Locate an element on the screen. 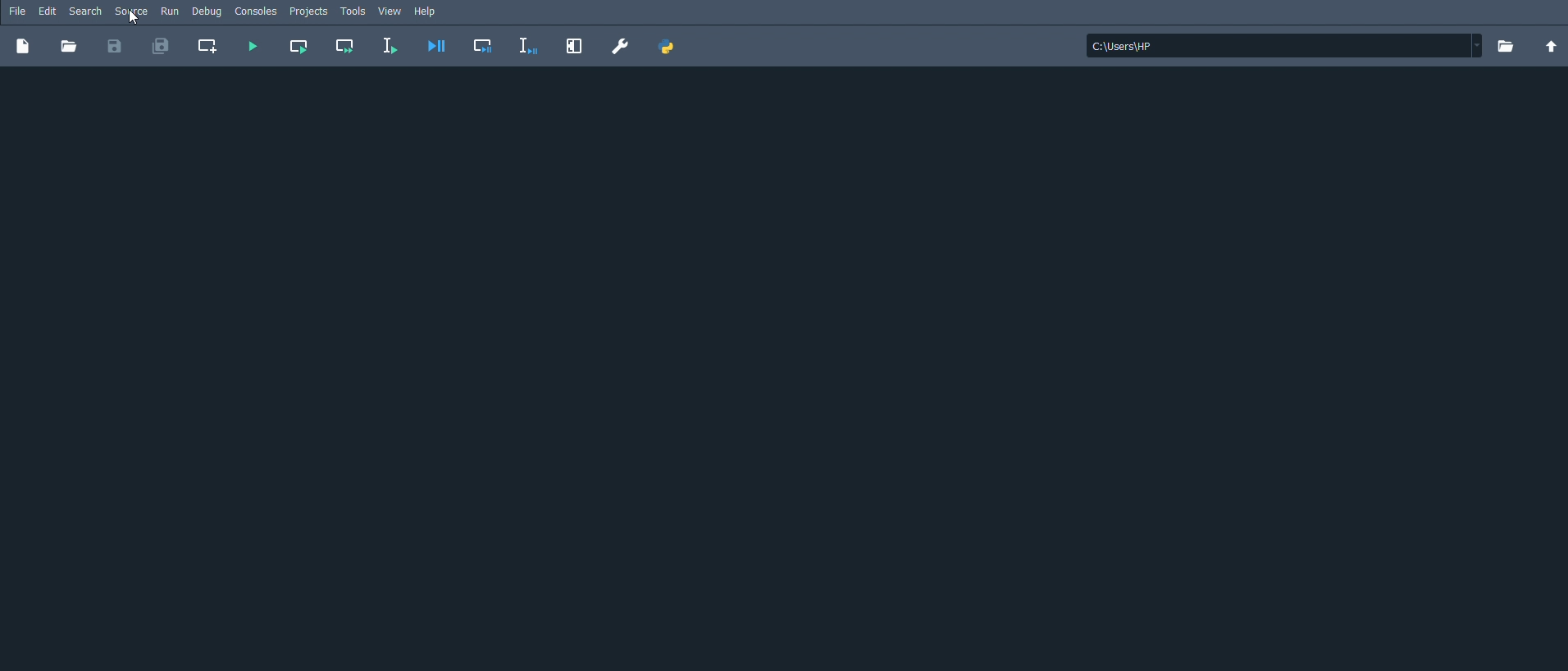  Save file is located at coordinates (114, 45).